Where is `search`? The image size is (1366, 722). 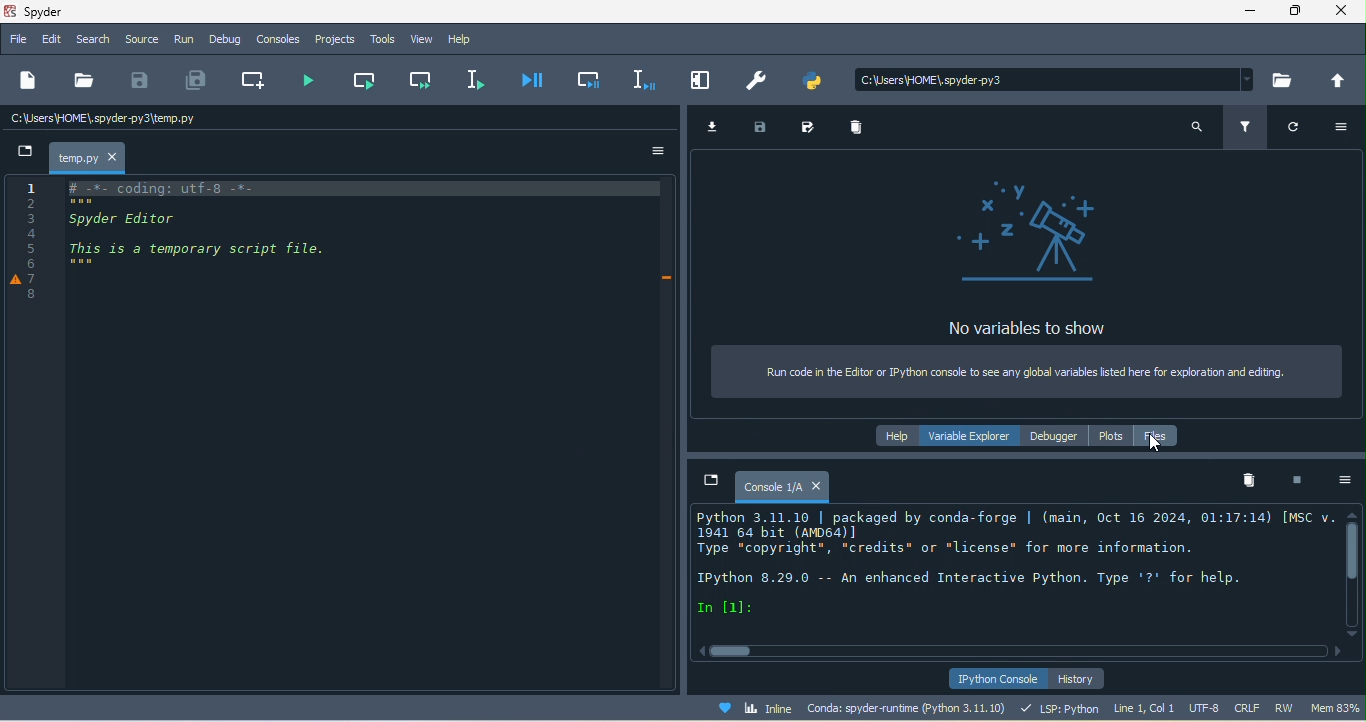 search is located at coordinates (92, 38).